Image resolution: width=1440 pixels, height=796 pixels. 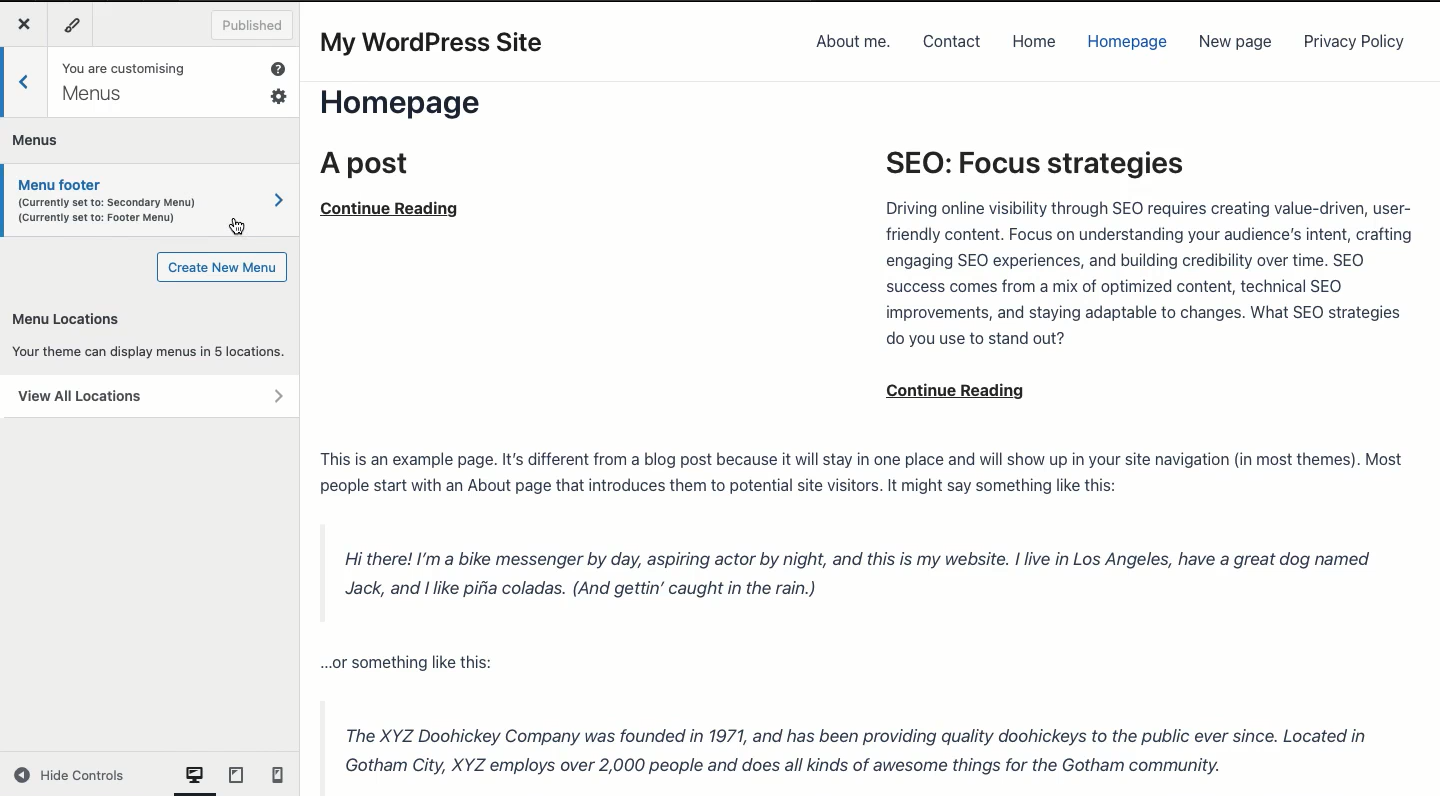 What do you see at coordinates (72, 777) in the screenshot?
I see `Hide controls` at bounding box center [72, 777].